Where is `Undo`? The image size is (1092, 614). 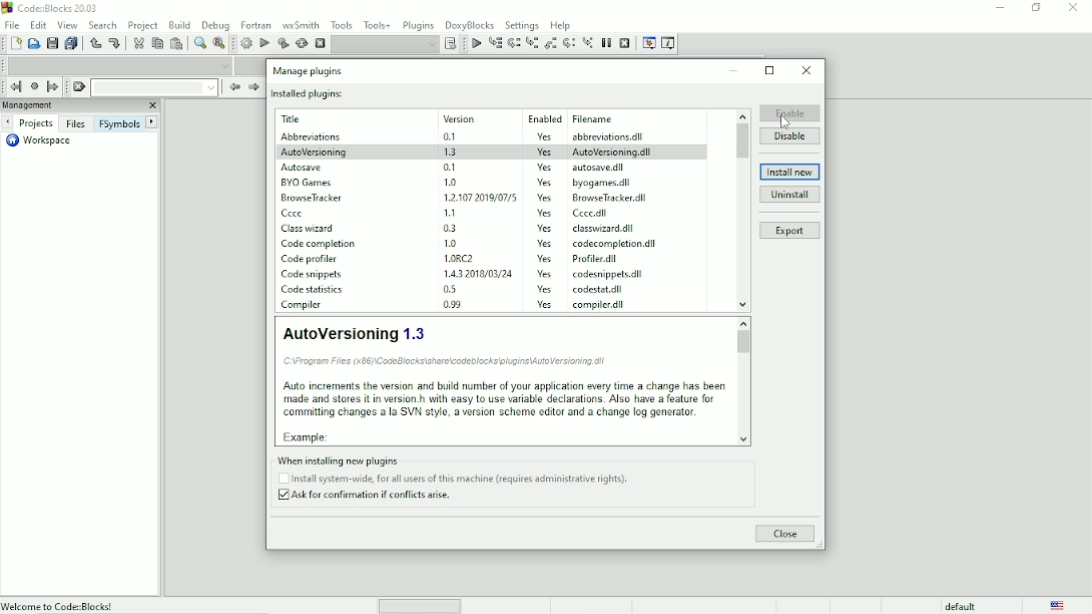 Undo is located at coordinates (96, 45).